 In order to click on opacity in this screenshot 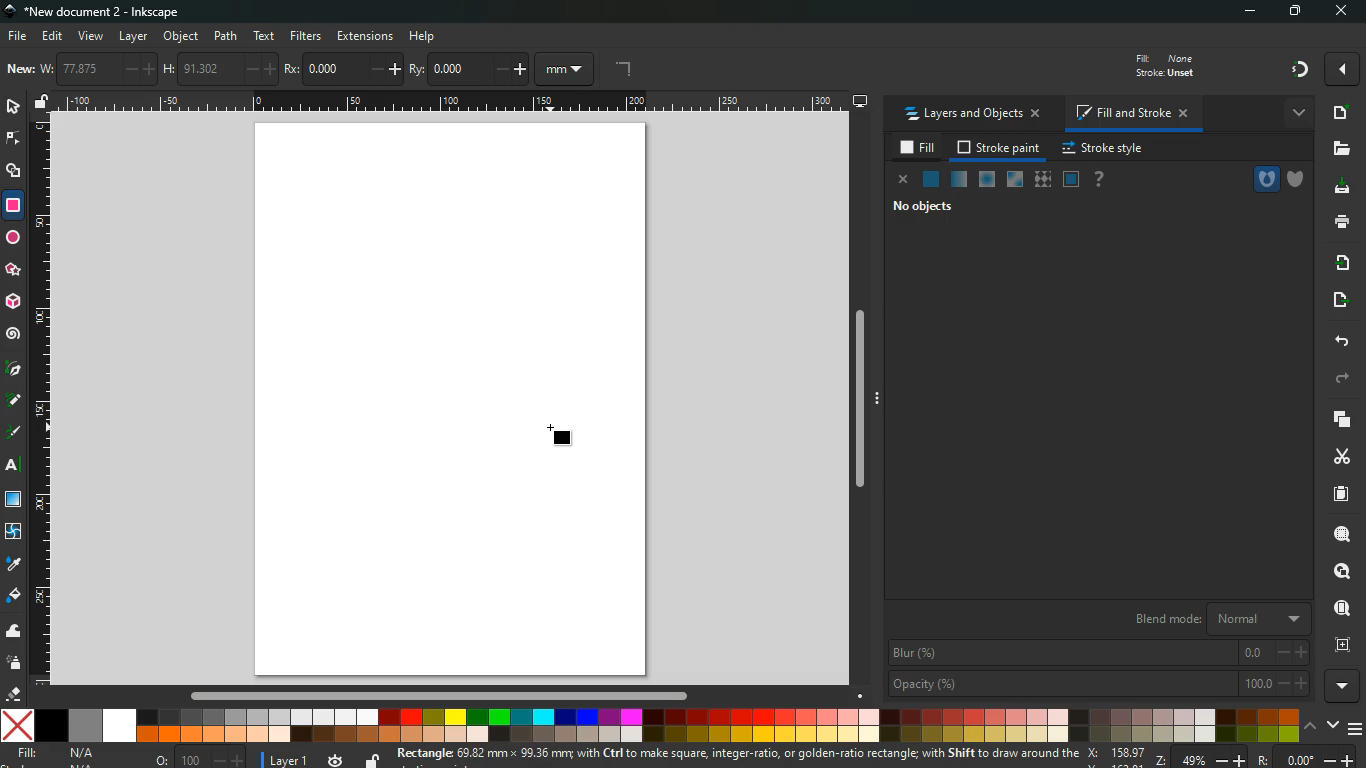, I will do `click(1098, 685)`.